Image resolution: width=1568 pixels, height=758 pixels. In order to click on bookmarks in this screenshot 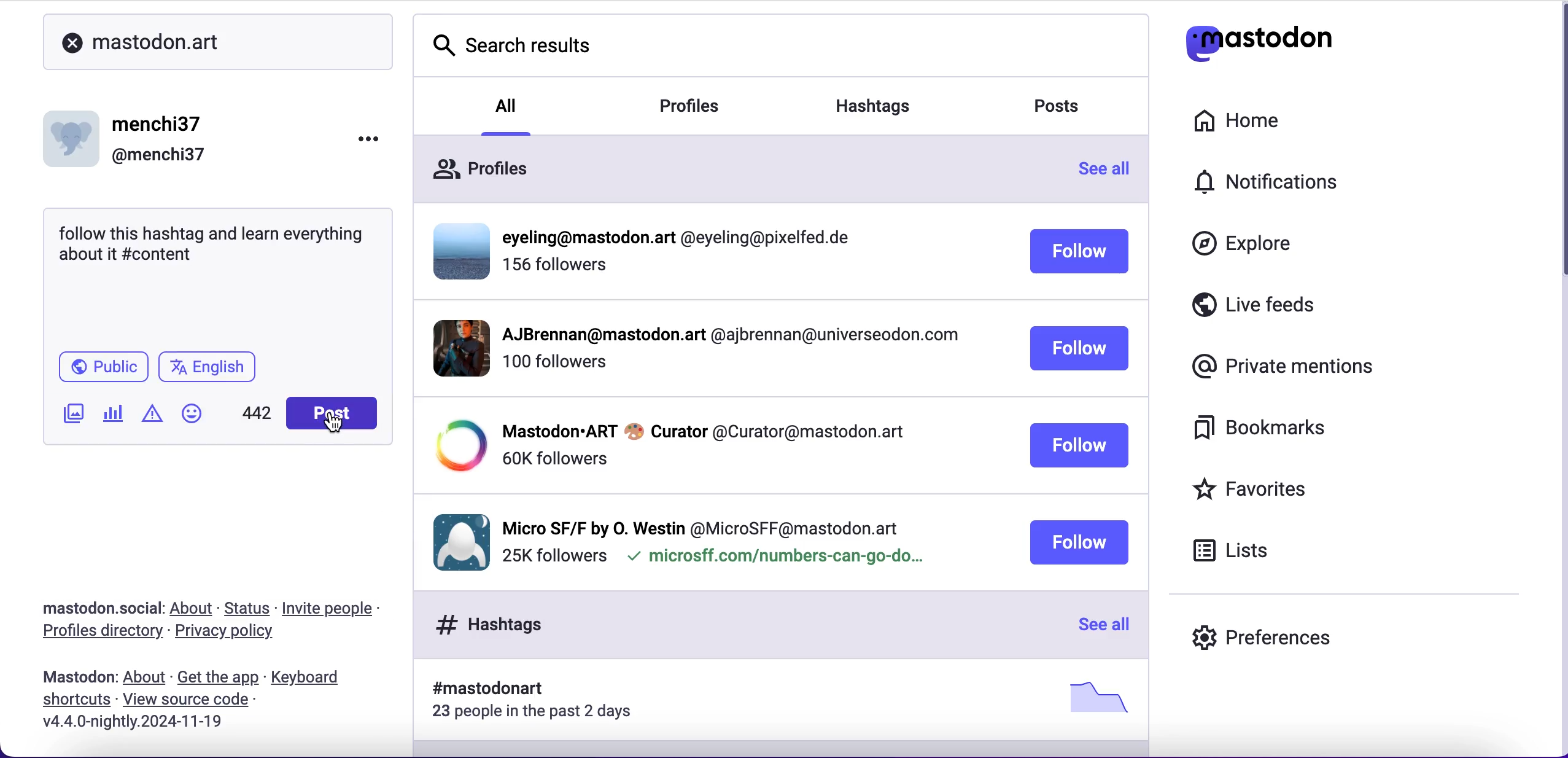, I will do `click(1269, 432)`.